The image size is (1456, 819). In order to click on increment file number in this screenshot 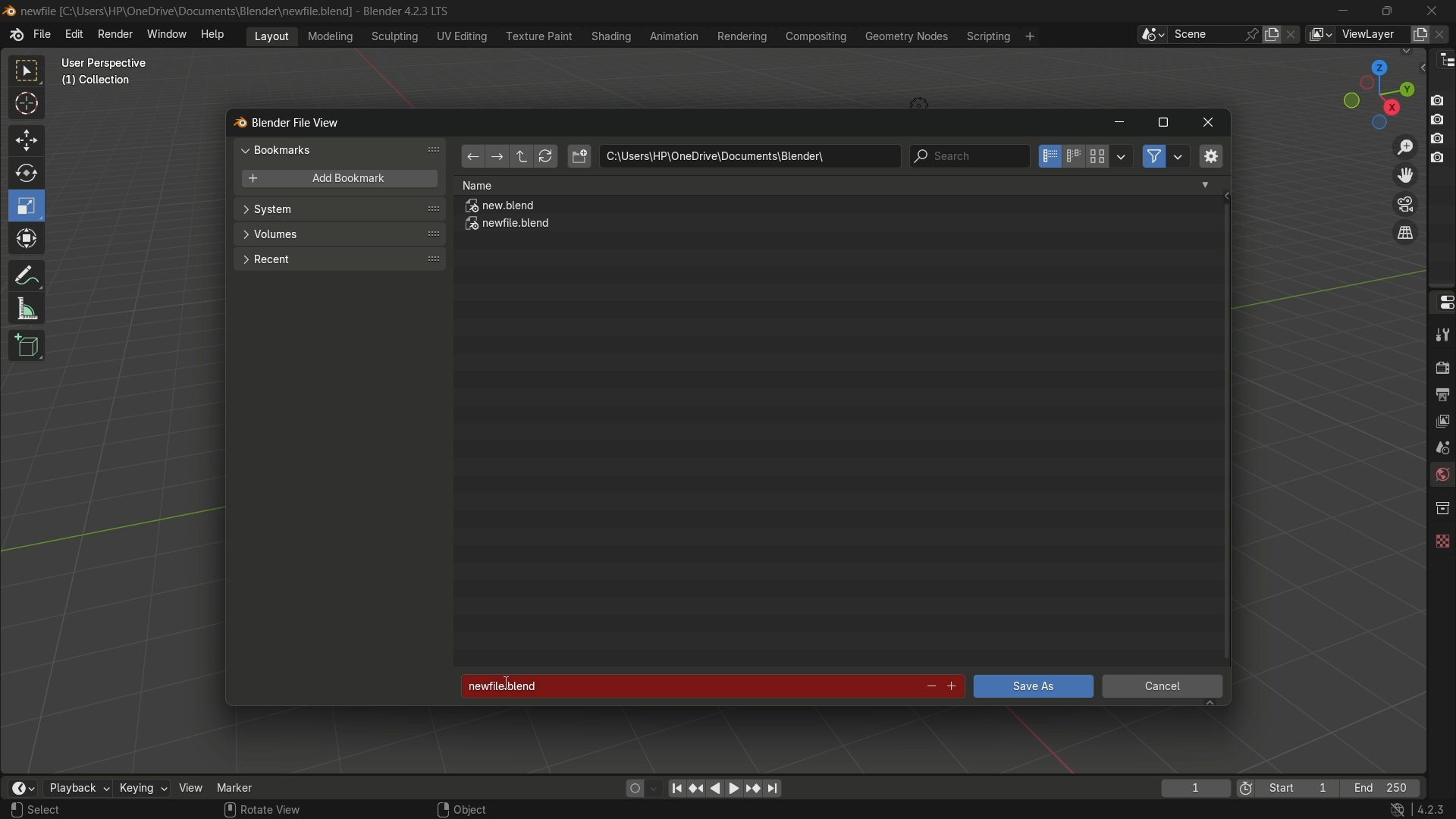, I will do `click(952, 687)`.